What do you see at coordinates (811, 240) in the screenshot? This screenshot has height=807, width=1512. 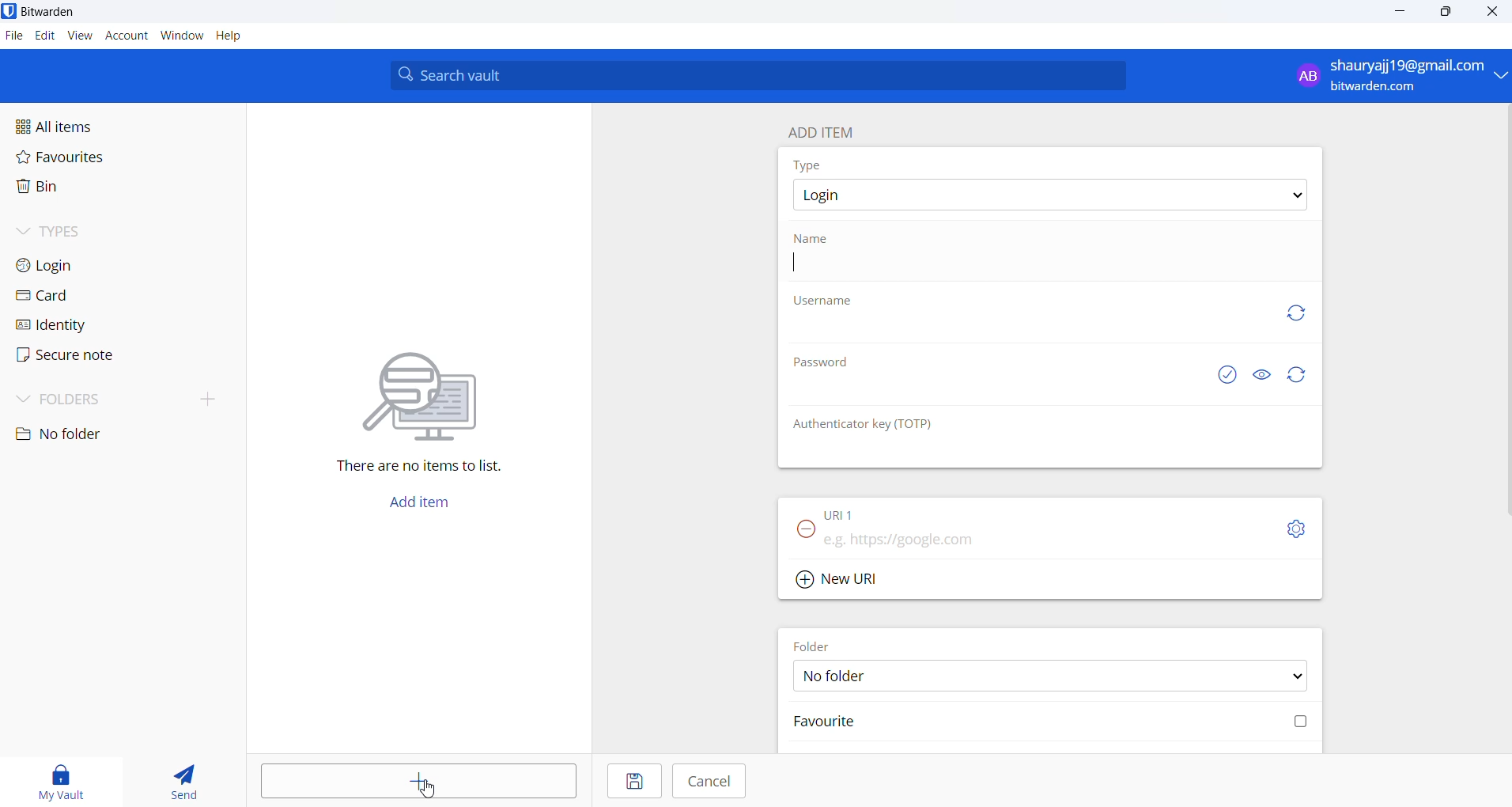 I see `name` at bounding box center [811, 240].